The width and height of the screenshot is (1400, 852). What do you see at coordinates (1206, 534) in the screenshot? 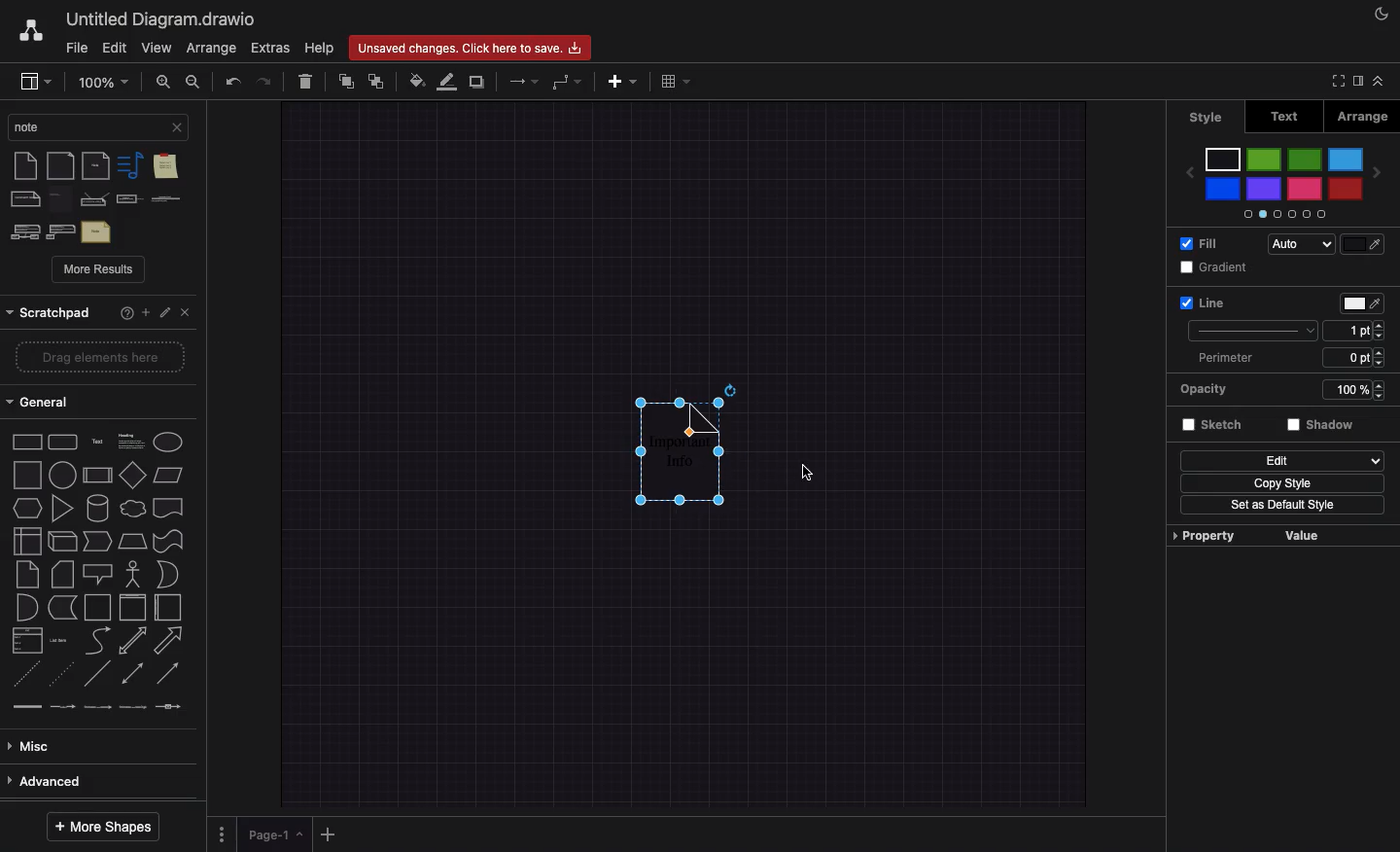
I see `Property ` at bounding box center [1206, 534].